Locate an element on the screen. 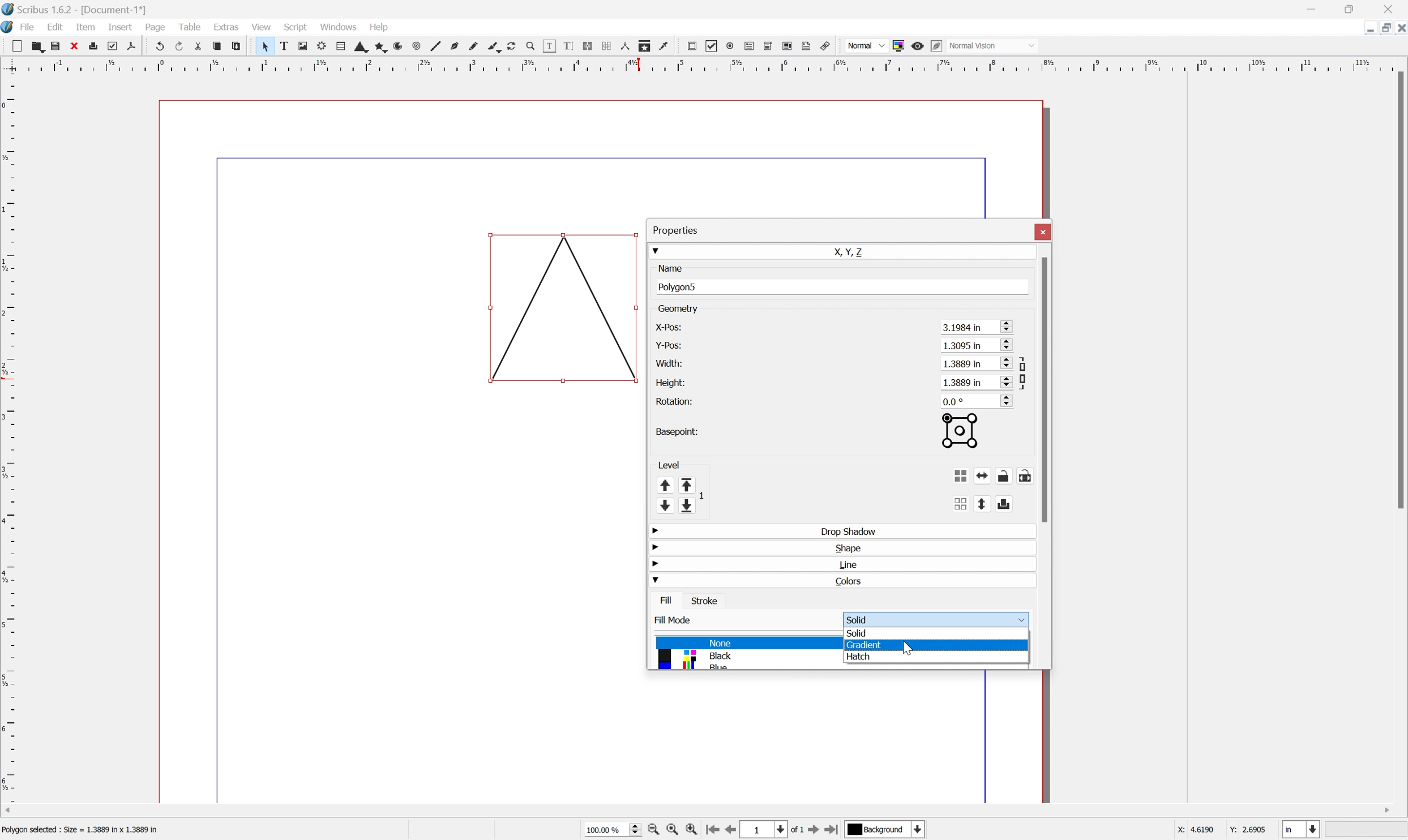 This screenshot has height=840, width=1408. Solid is located at coordinates (859, 632).